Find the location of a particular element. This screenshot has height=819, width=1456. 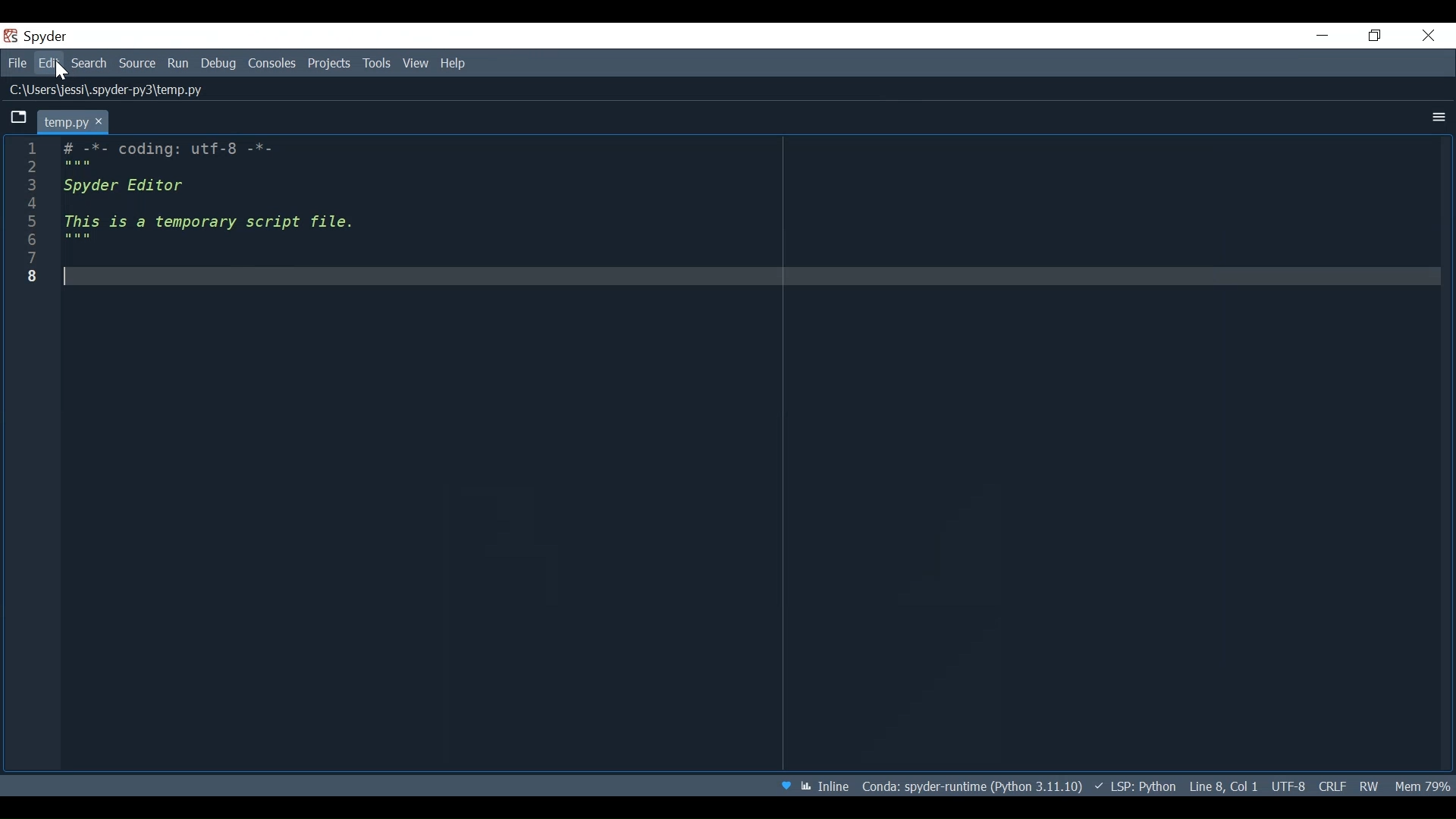

Source is located at coordinates (139, 64).